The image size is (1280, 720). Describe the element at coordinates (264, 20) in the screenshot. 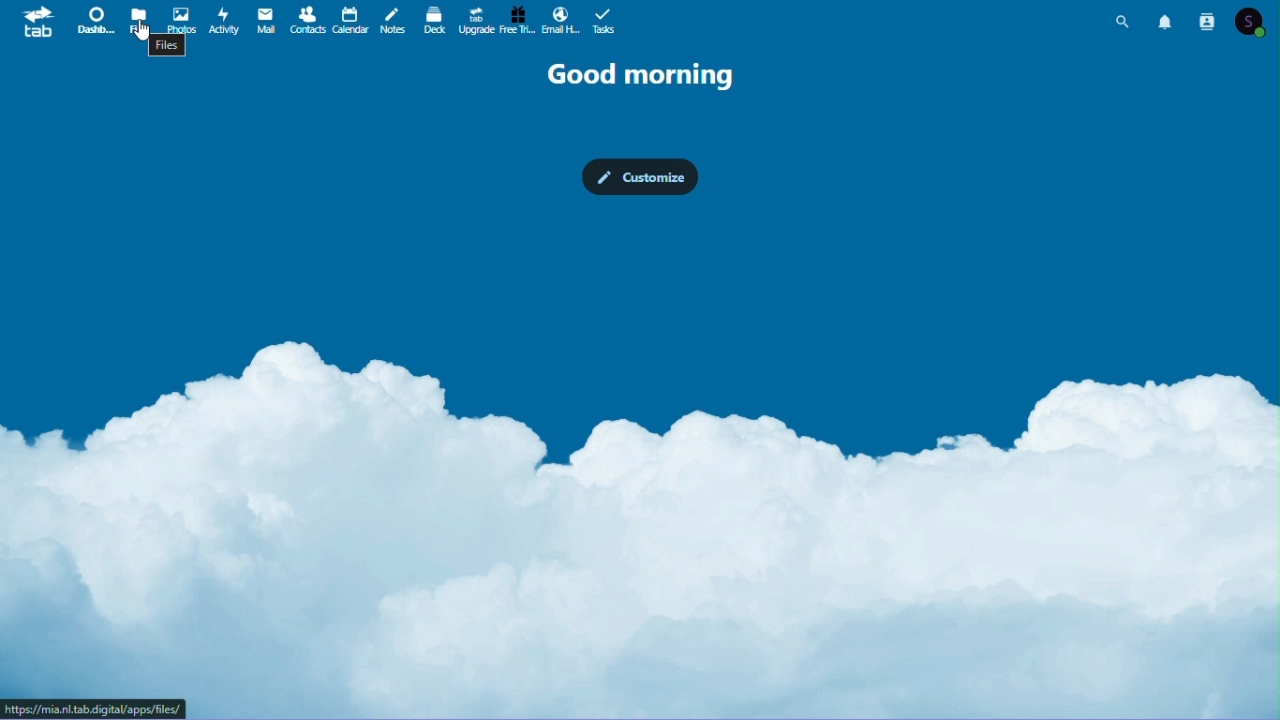

I see `mail` at that location.